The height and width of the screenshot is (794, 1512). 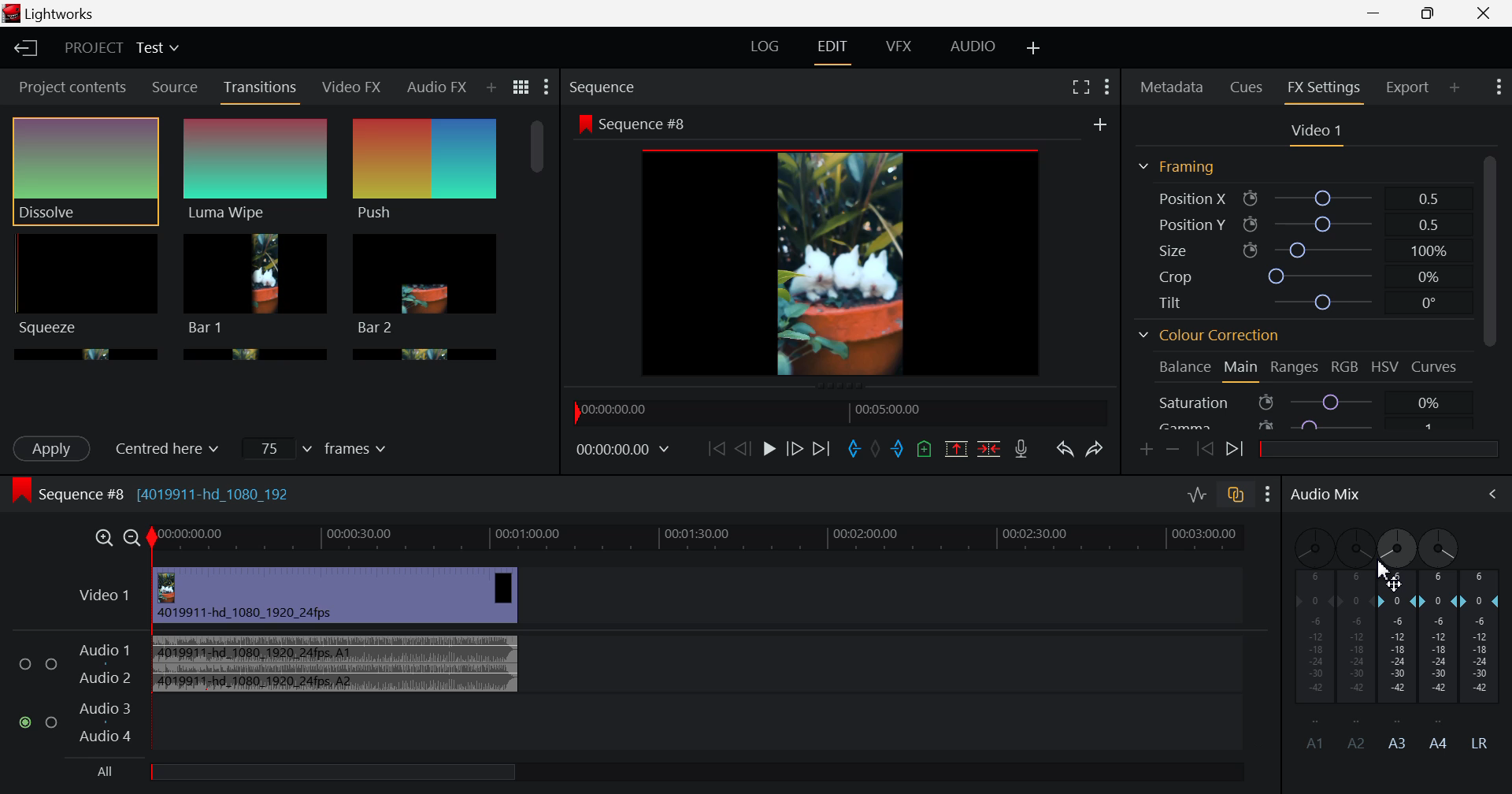 I want to click on Show Settings, so click(x=1498, y=89).